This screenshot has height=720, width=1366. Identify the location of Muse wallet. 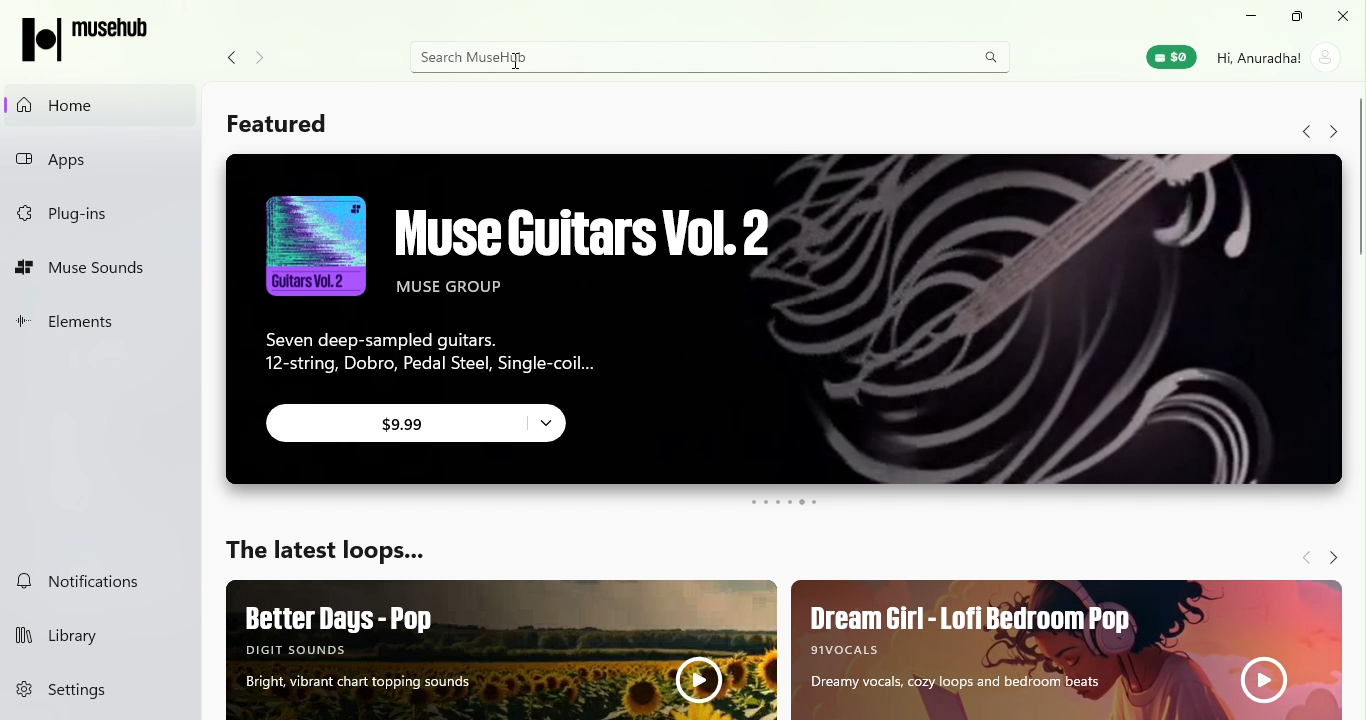
(1173, 59).